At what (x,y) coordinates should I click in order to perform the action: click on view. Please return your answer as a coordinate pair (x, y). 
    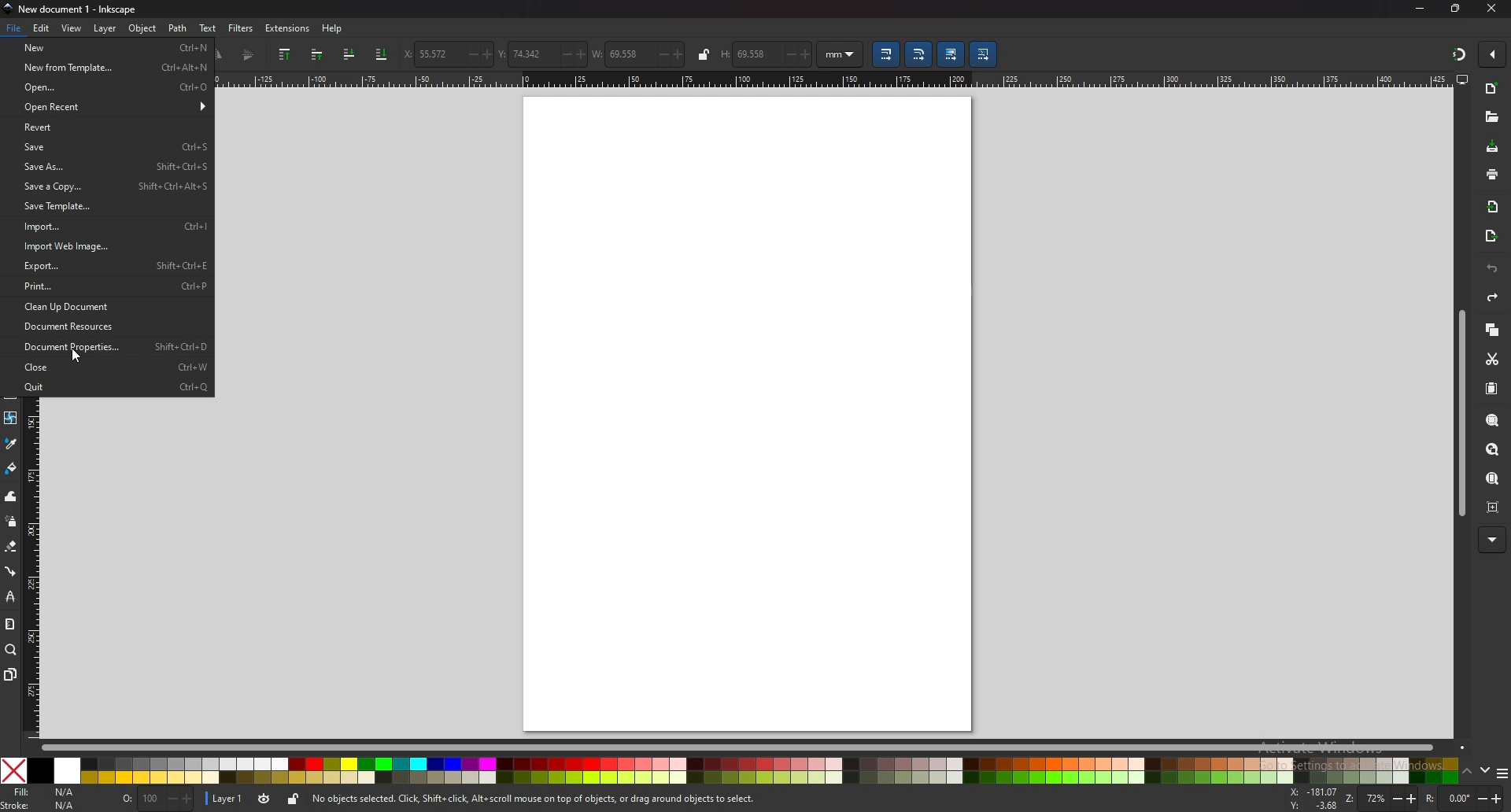
    Looking at the image, I should click on (74, 28).